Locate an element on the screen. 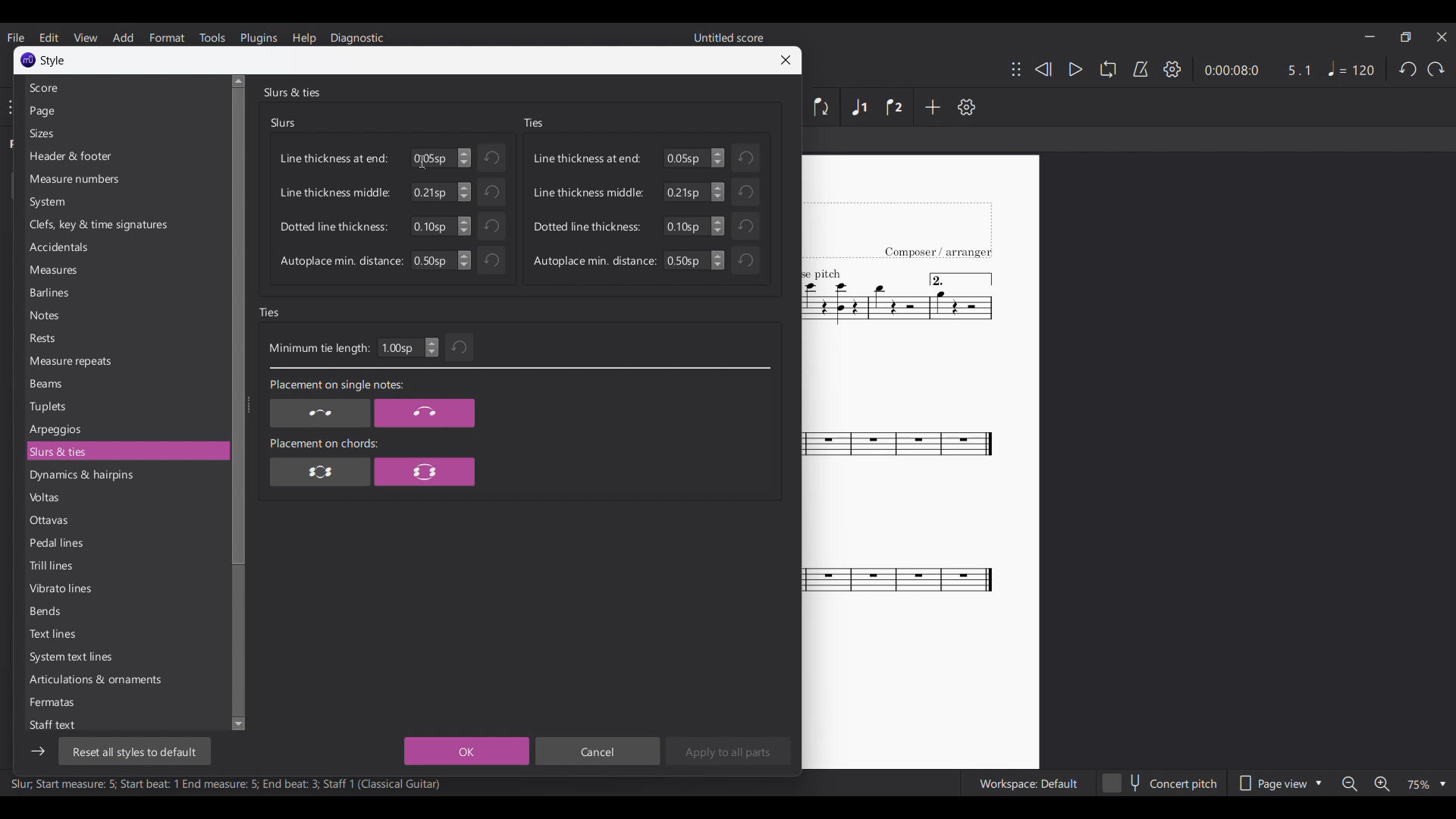 The width and height of the screenshot is (1456, 819). Voice 2 is located at coordinates (894, 107).